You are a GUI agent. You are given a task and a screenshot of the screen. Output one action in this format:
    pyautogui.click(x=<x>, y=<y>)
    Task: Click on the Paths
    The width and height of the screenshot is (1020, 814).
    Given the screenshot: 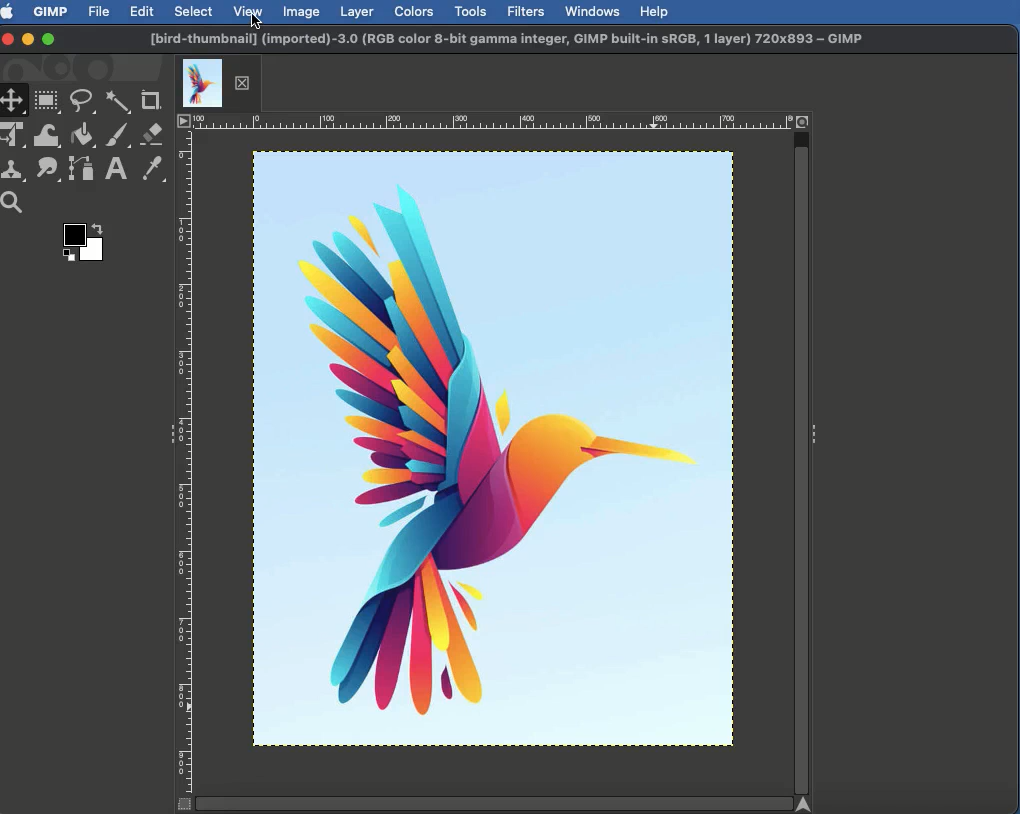 What is the action you would take?
    pyautogui.click(x=80, y=172)
    